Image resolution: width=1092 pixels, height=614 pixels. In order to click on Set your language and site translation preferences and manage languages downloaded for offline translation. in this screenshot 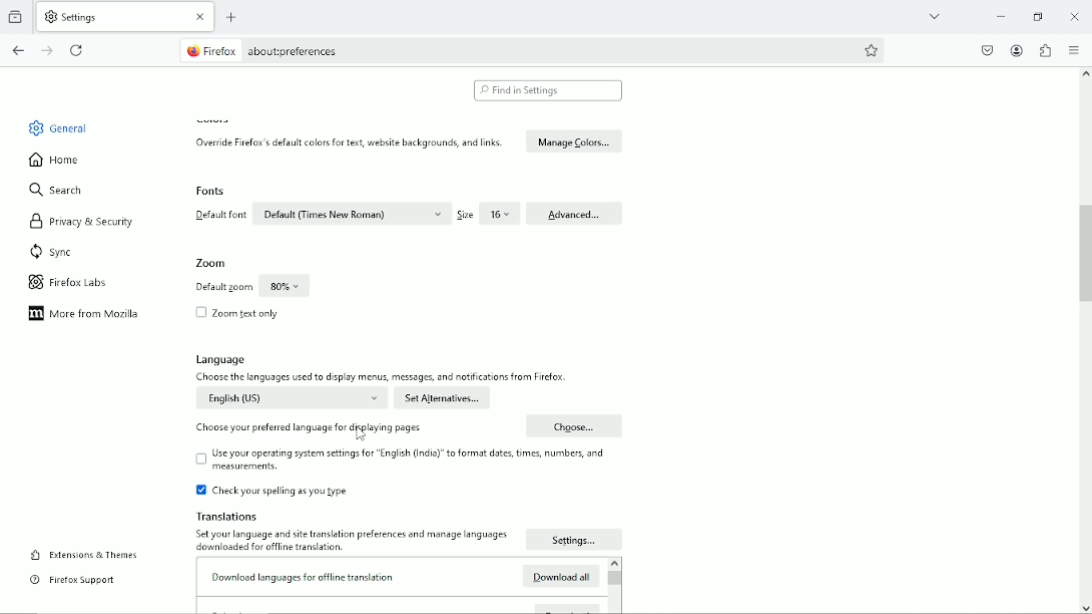, I will do `click(350, 542)`.